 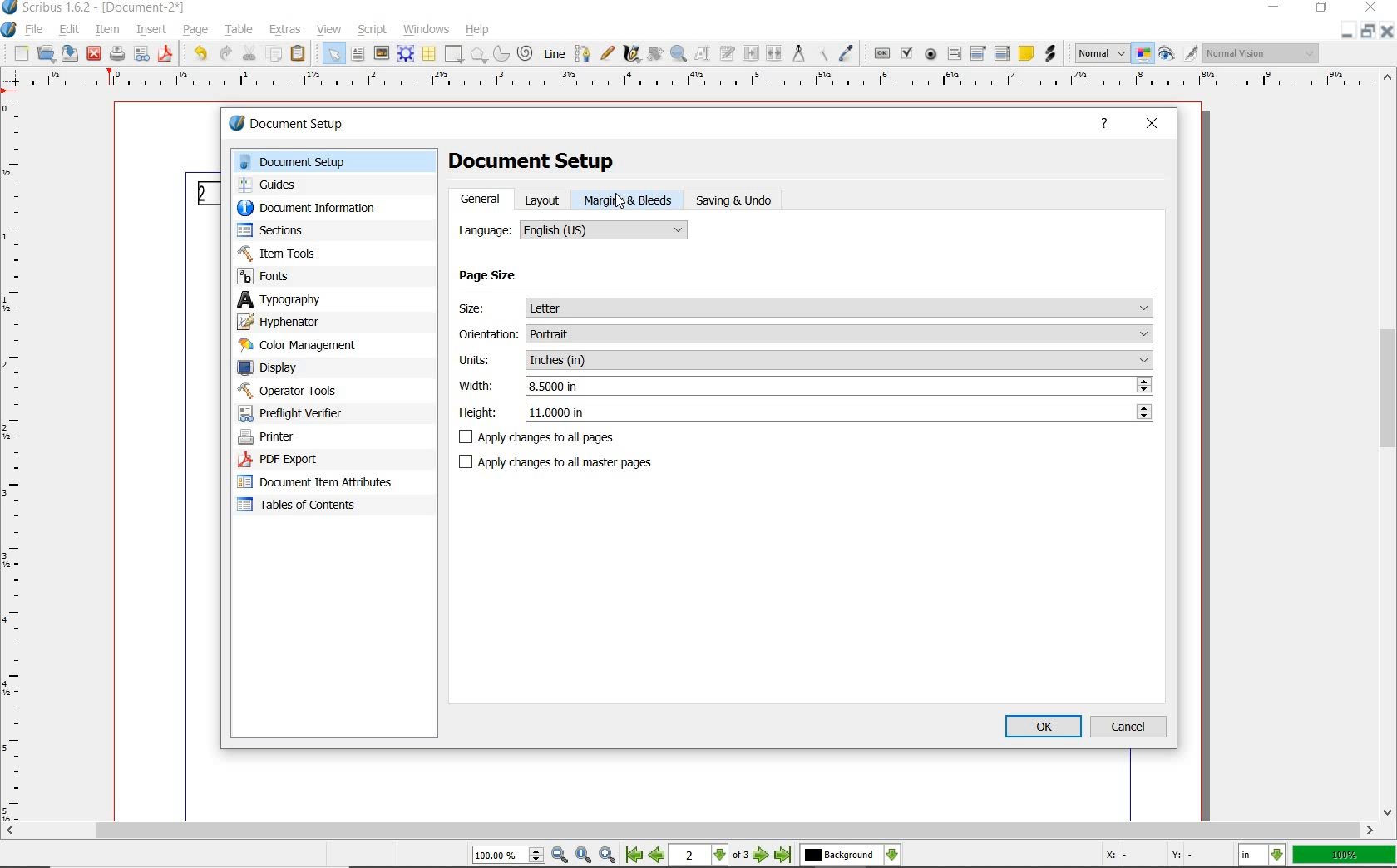 I want to click on fonts, so click(x=274, y=277).